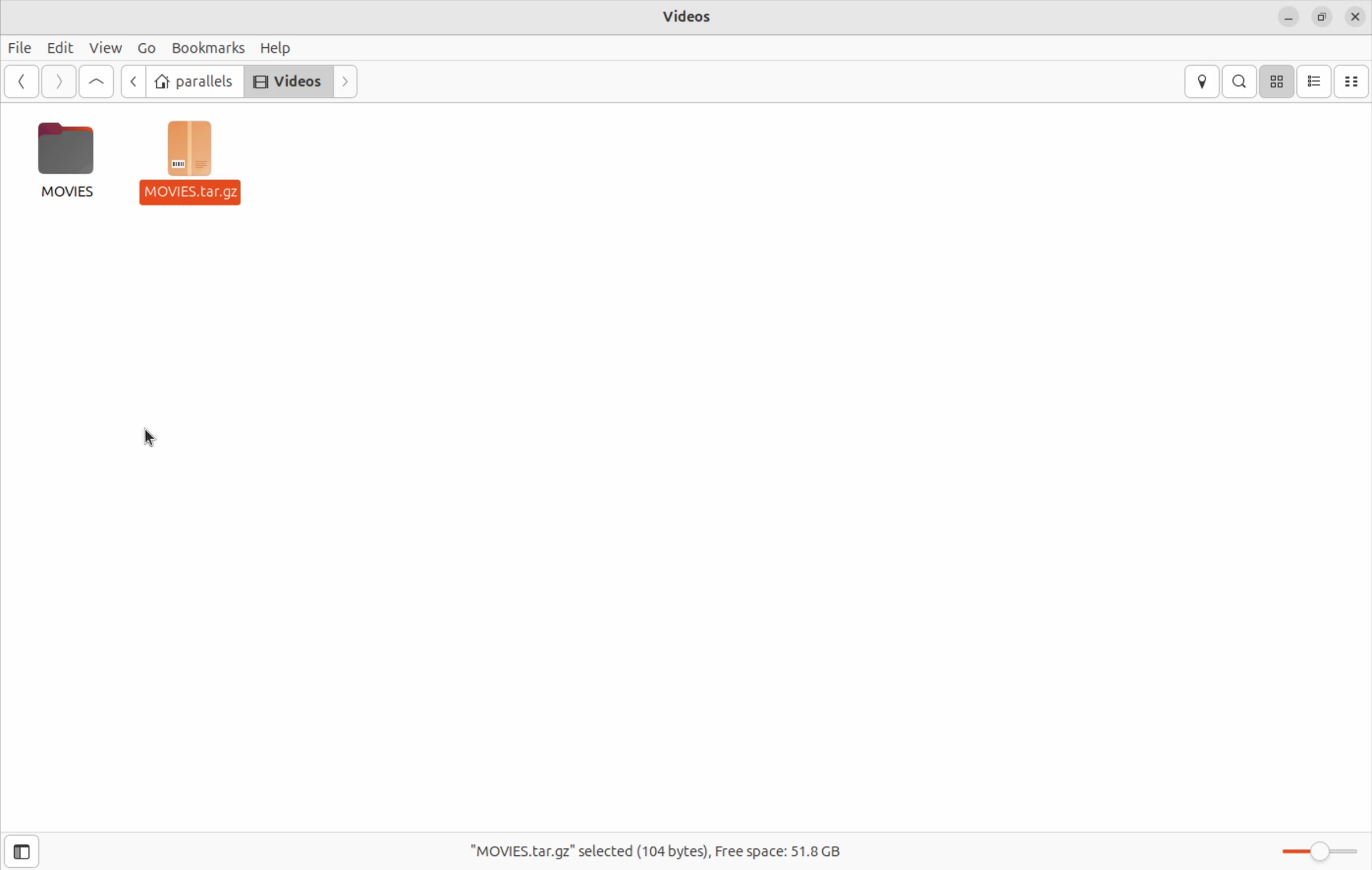 Image resolution: width=1372 pixels, height=870 pixels. Describe the element at coordinates (22, 851) in the screenshot. I see `show side bar` at that location.